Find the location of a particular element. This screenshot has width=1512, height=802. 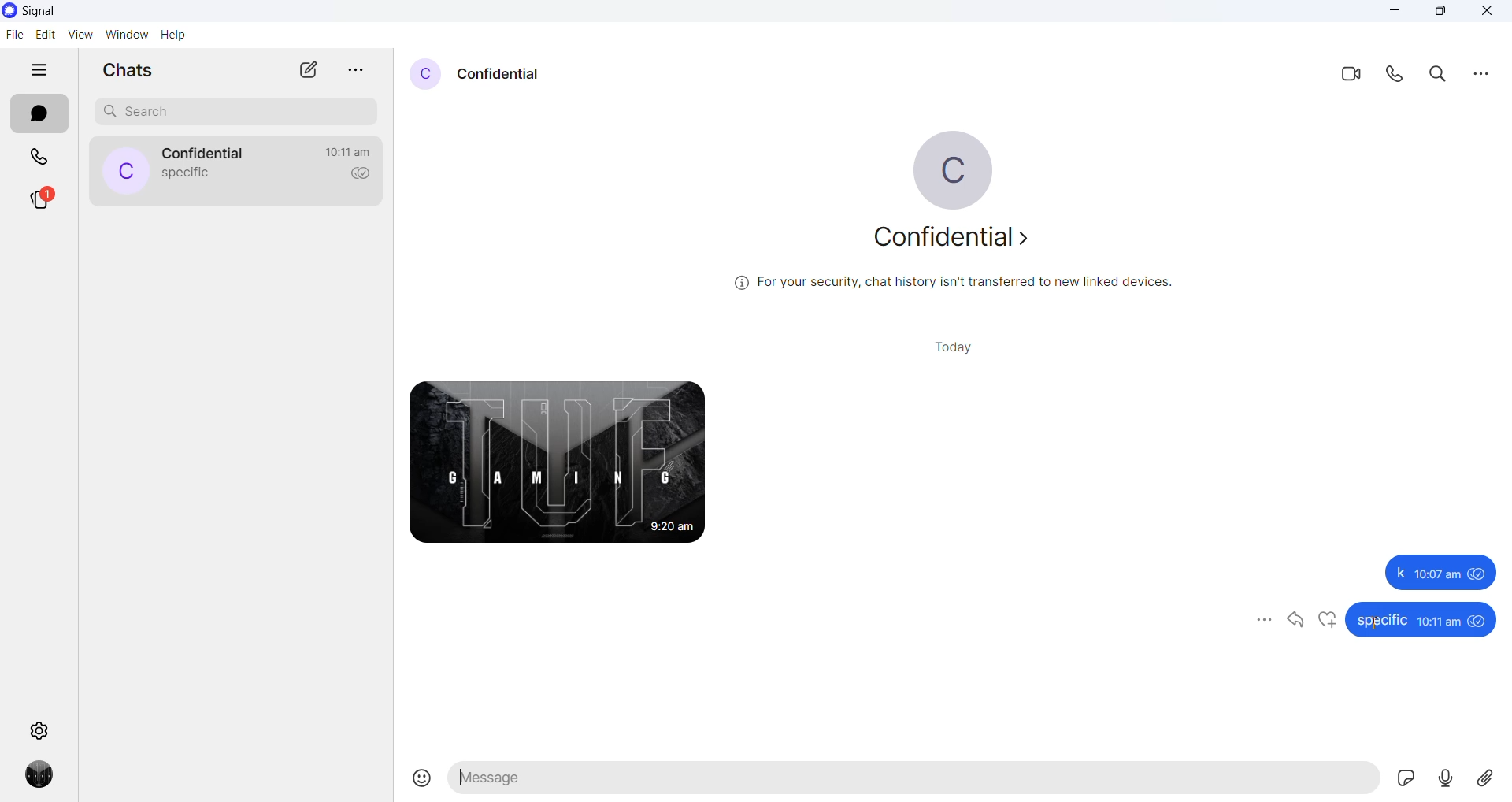

last message is located at coordinates (188, 175).